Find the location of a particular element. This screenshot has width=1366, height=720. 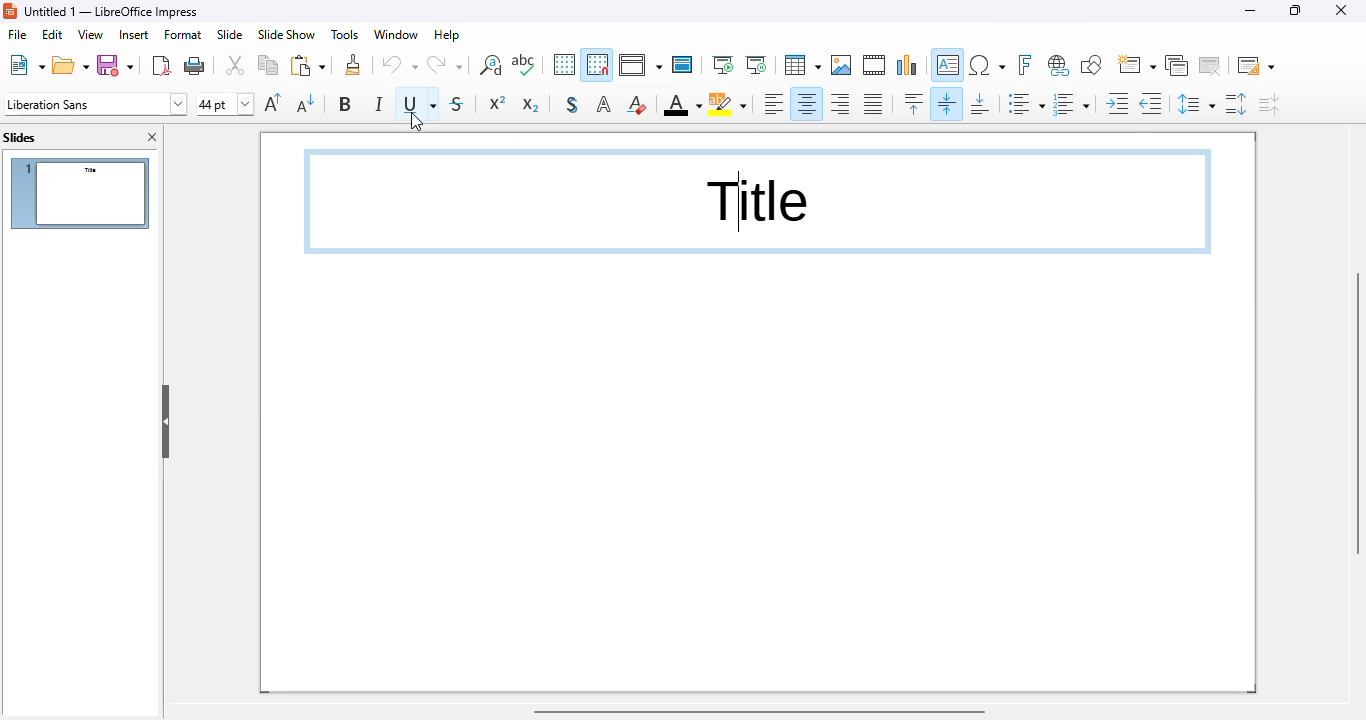

find and replace is located at coordinates (491, 65).